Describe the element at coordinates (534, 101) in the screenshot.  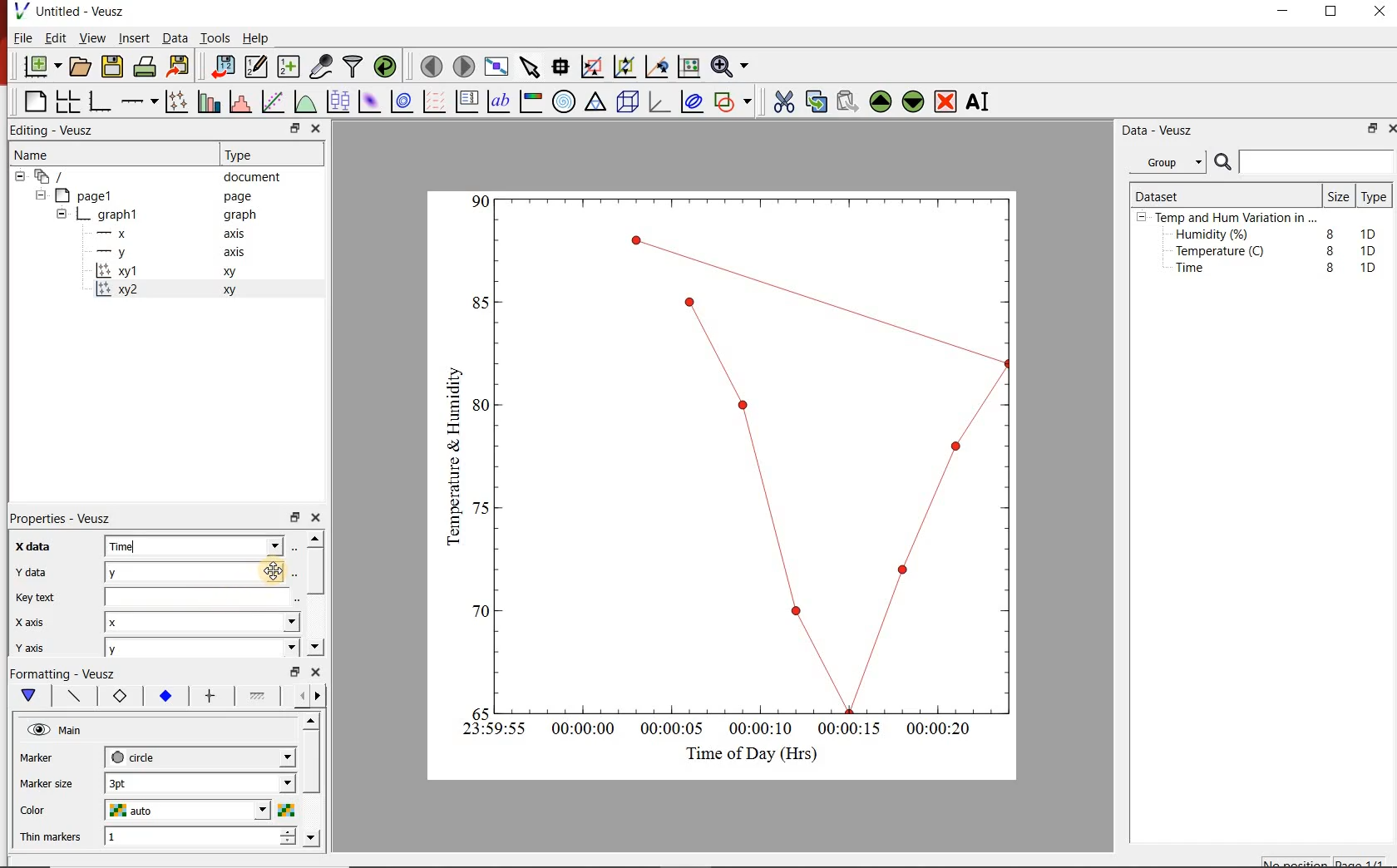
I see `image color bar` at that location.